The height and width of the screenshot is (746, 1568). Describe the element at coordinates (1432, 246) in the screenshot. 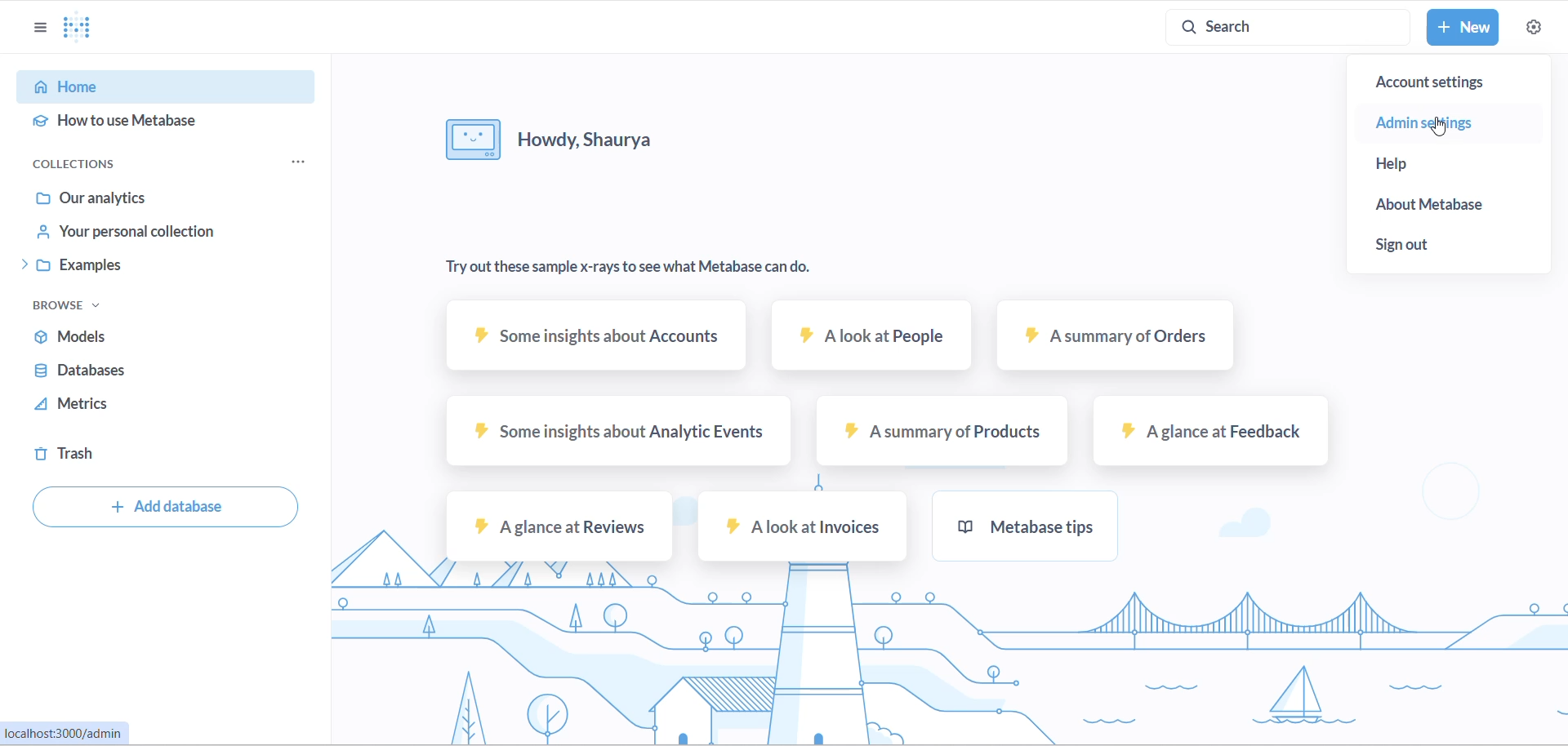

I see `sign out` at that location.